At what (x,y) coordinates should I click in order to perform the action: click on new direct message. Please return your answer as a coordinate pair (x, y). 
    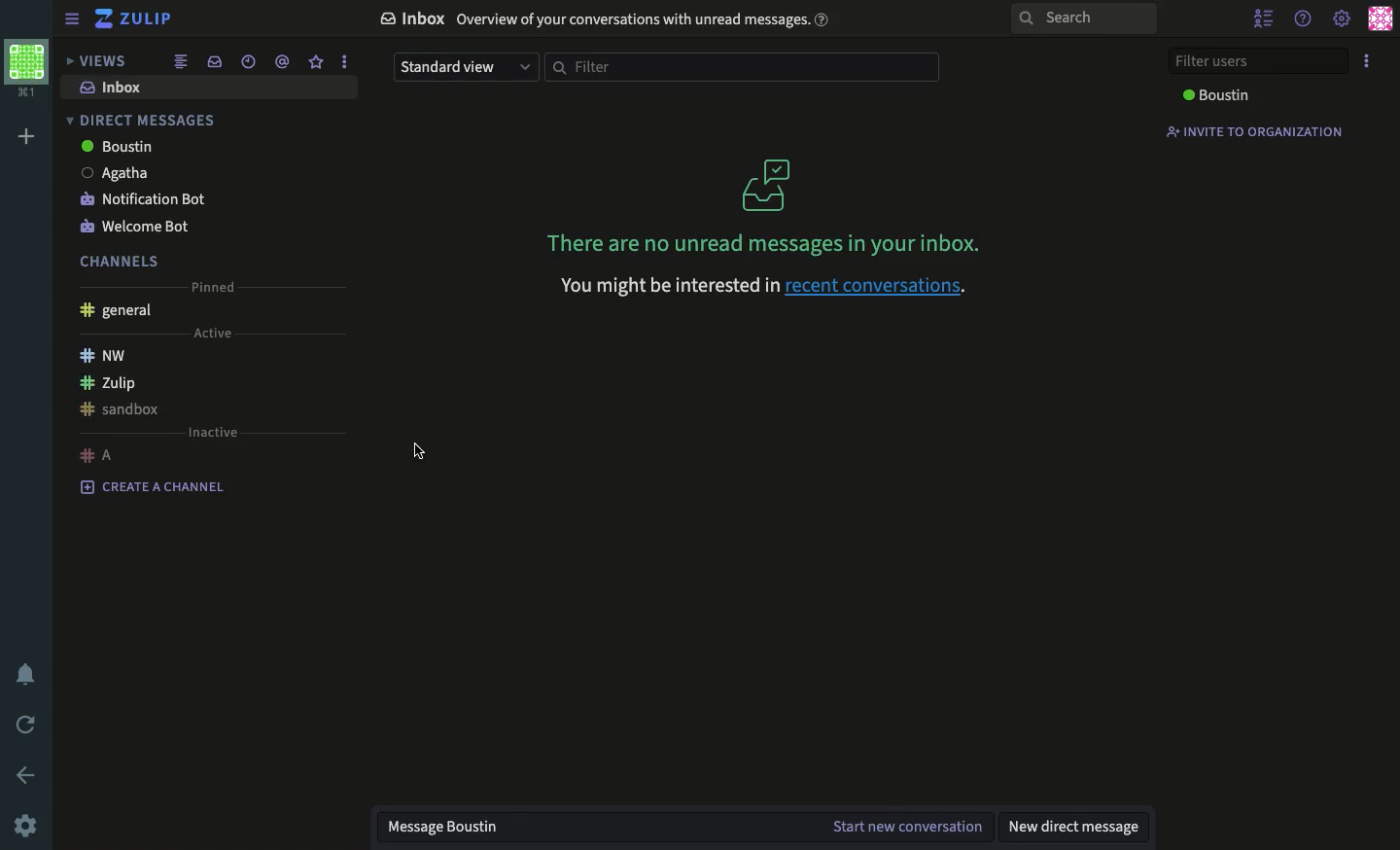
    Looking at the image, I should click on (1082, 830).